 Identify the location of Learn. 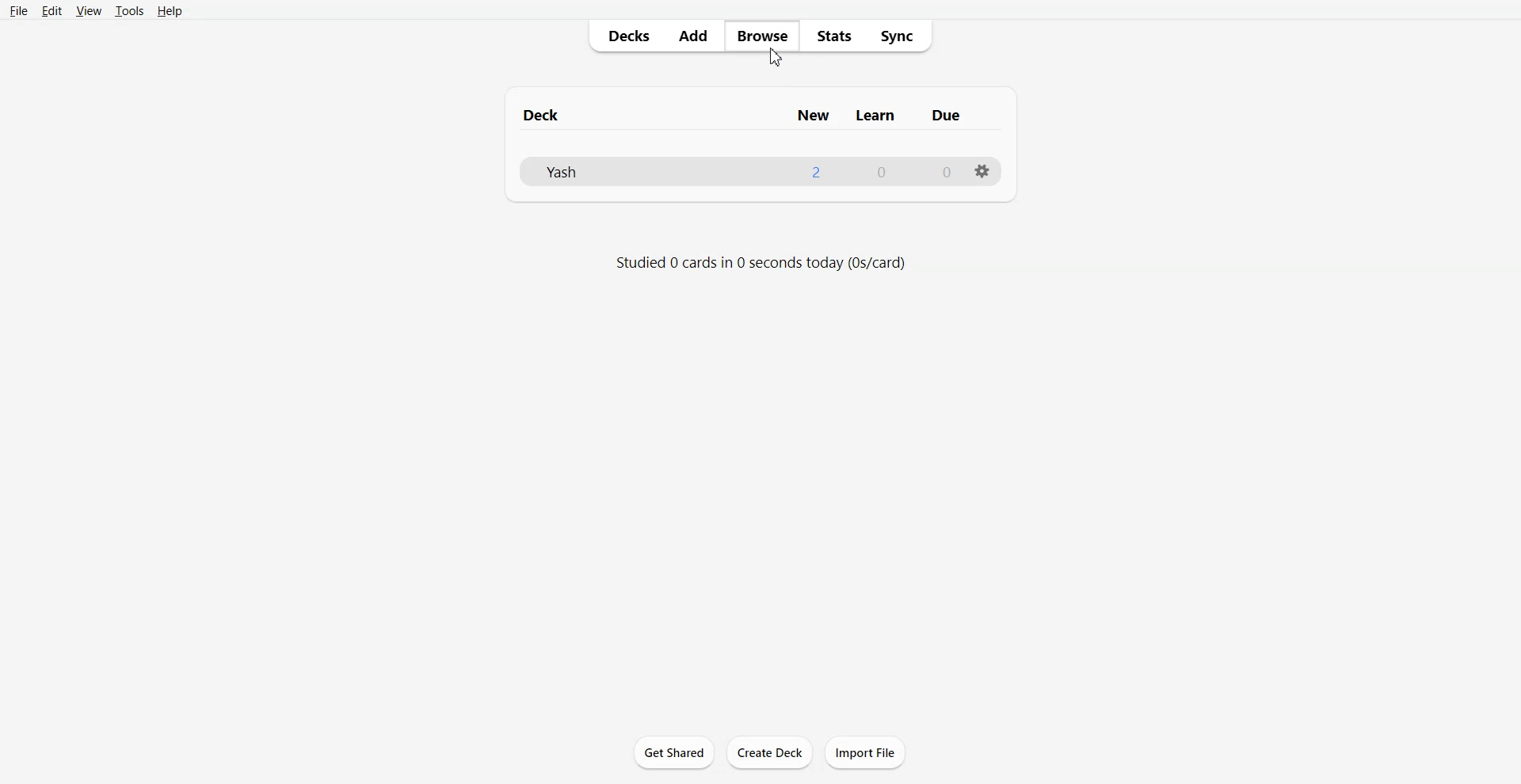
(879, 114).